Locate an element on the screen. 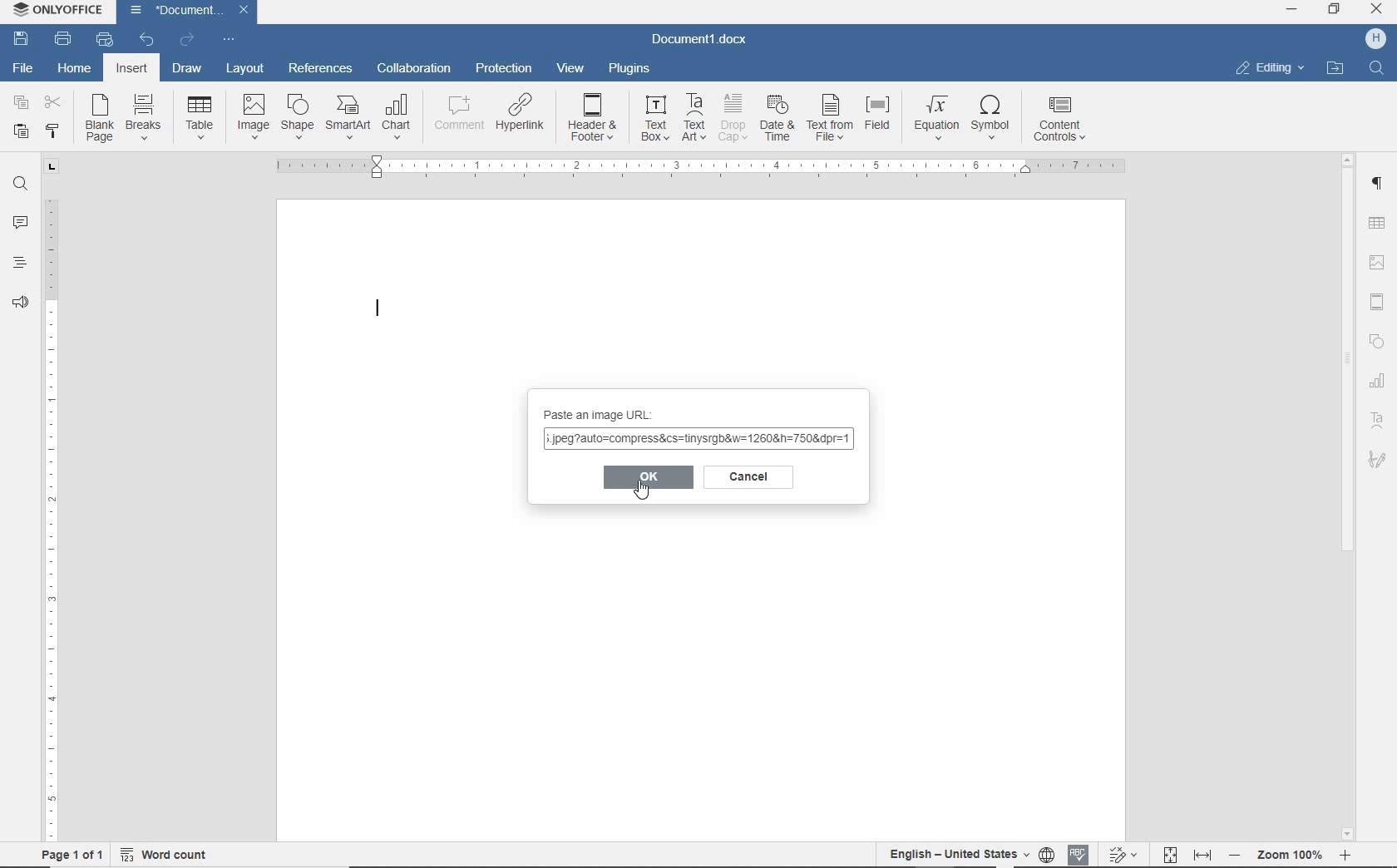 The width and height of the screenshot is (1397, 868). page 1of 1 is located at coordinates (74, 856).